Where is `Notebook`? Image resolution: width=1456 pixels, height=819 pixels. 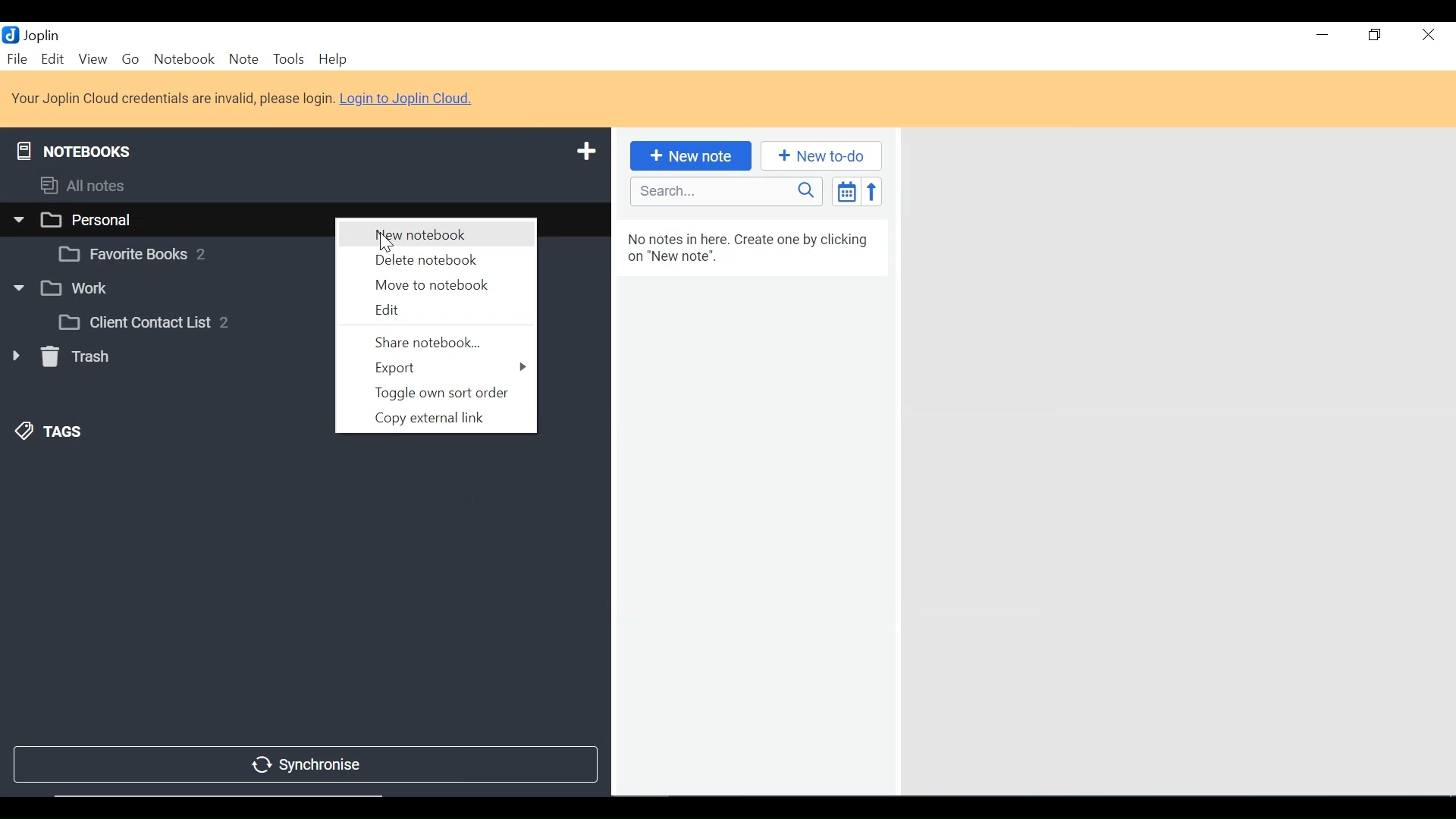 Notebook is located at coordinates (183, 322).